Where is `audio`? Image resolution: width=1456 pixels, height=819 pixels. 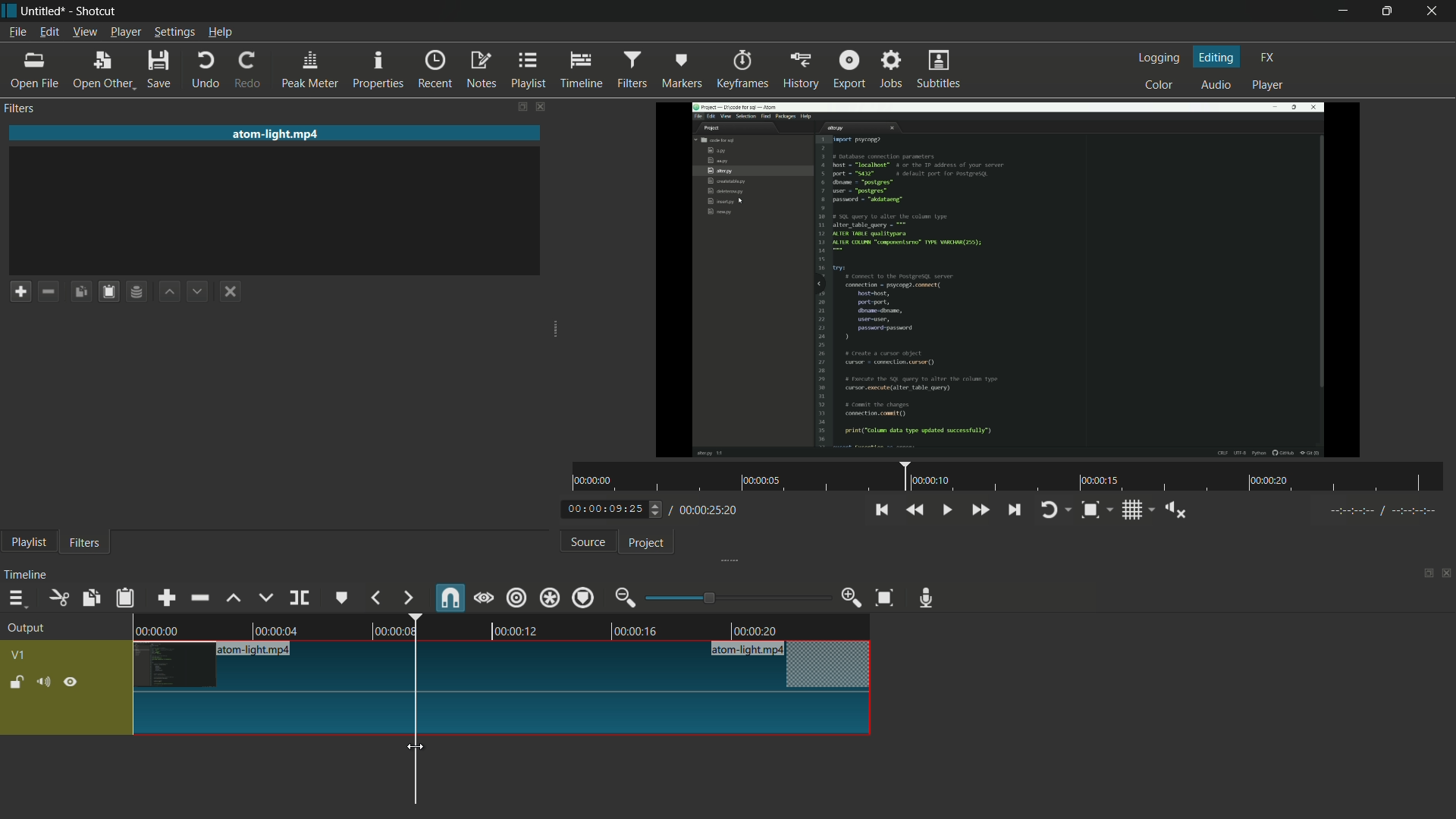
audio is located at coordinates (1217, 84).